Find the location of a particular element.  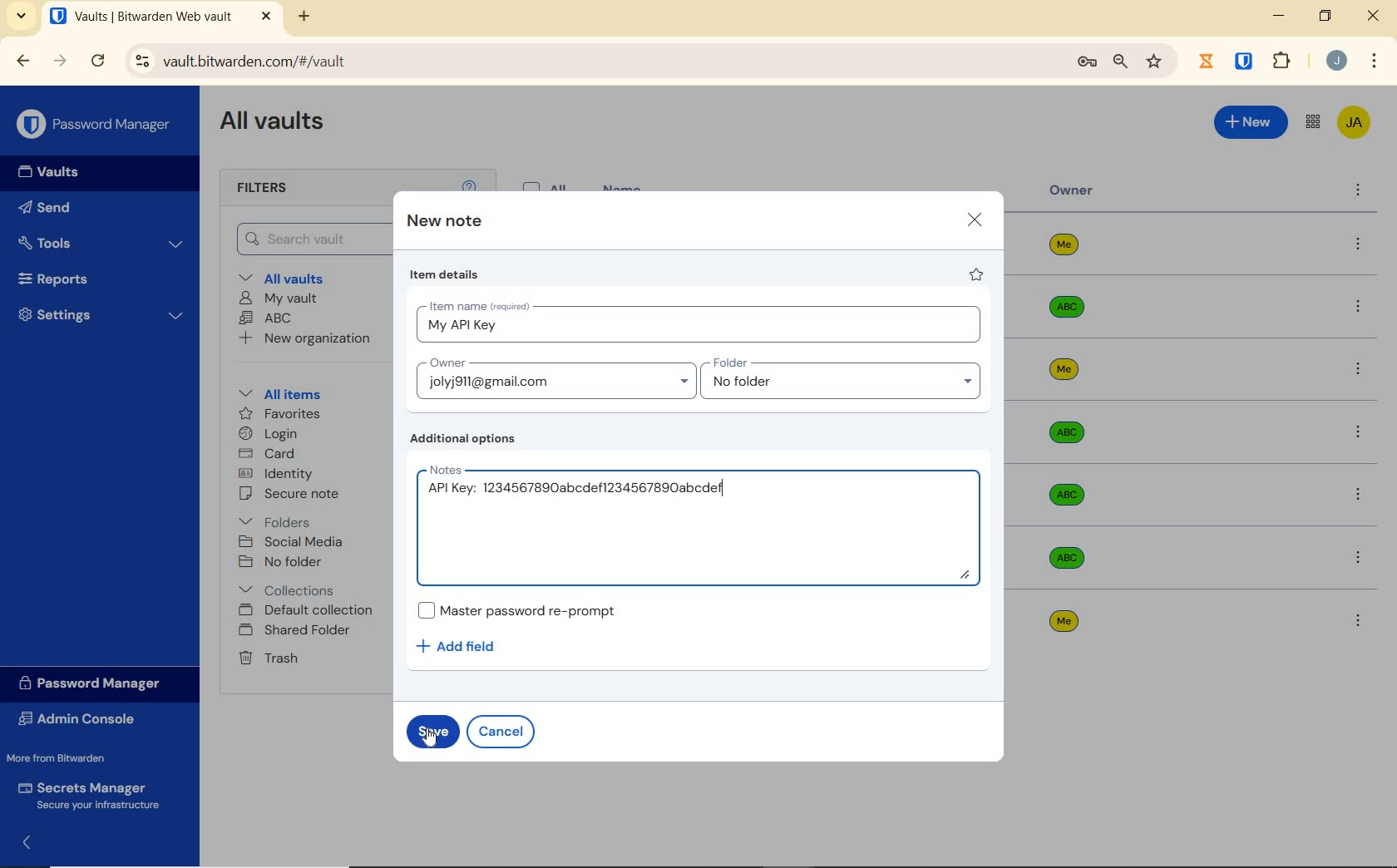

Additional options is located at coordinates (466, 440).